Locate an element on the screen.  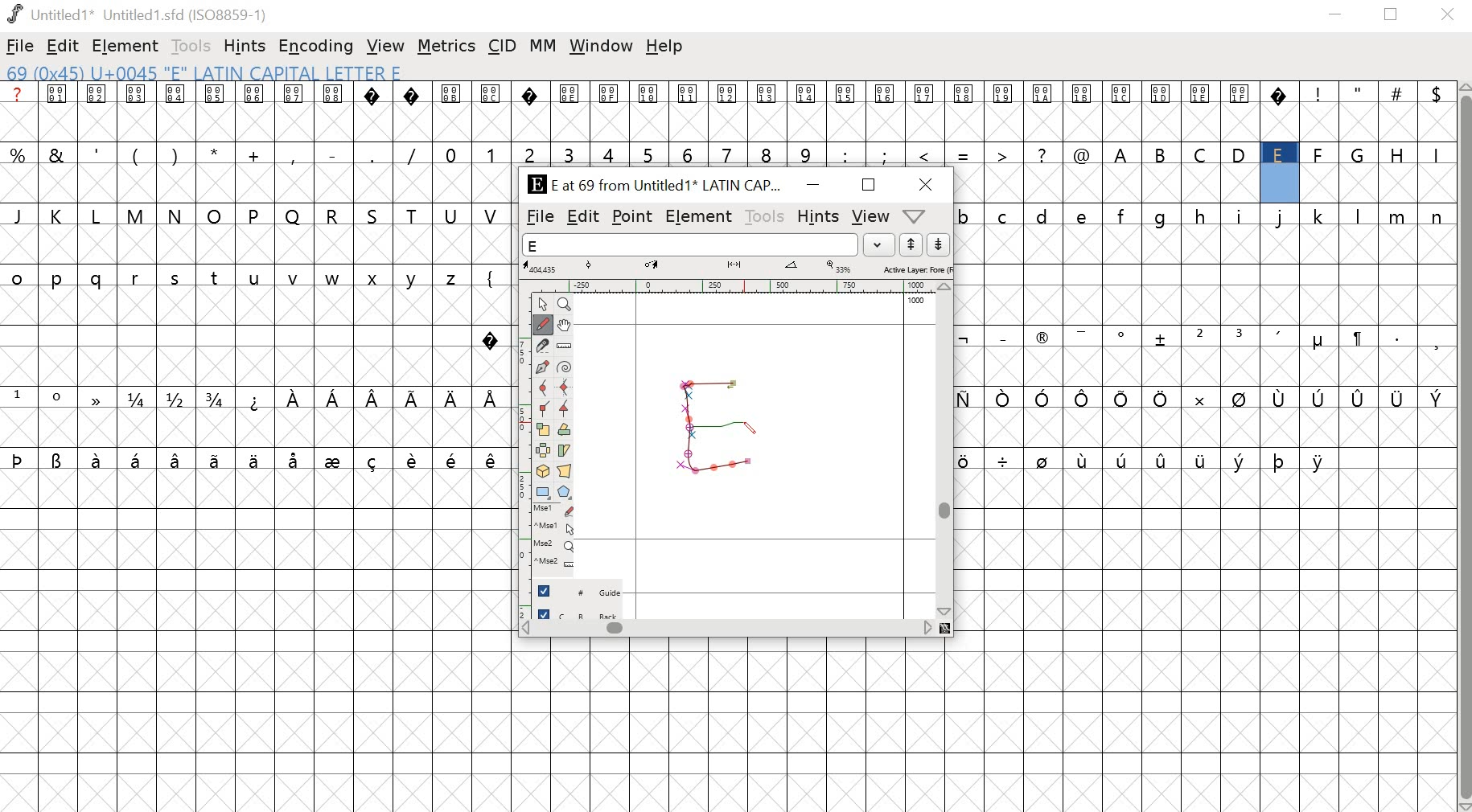
tools is located at coordinates (763, 215).